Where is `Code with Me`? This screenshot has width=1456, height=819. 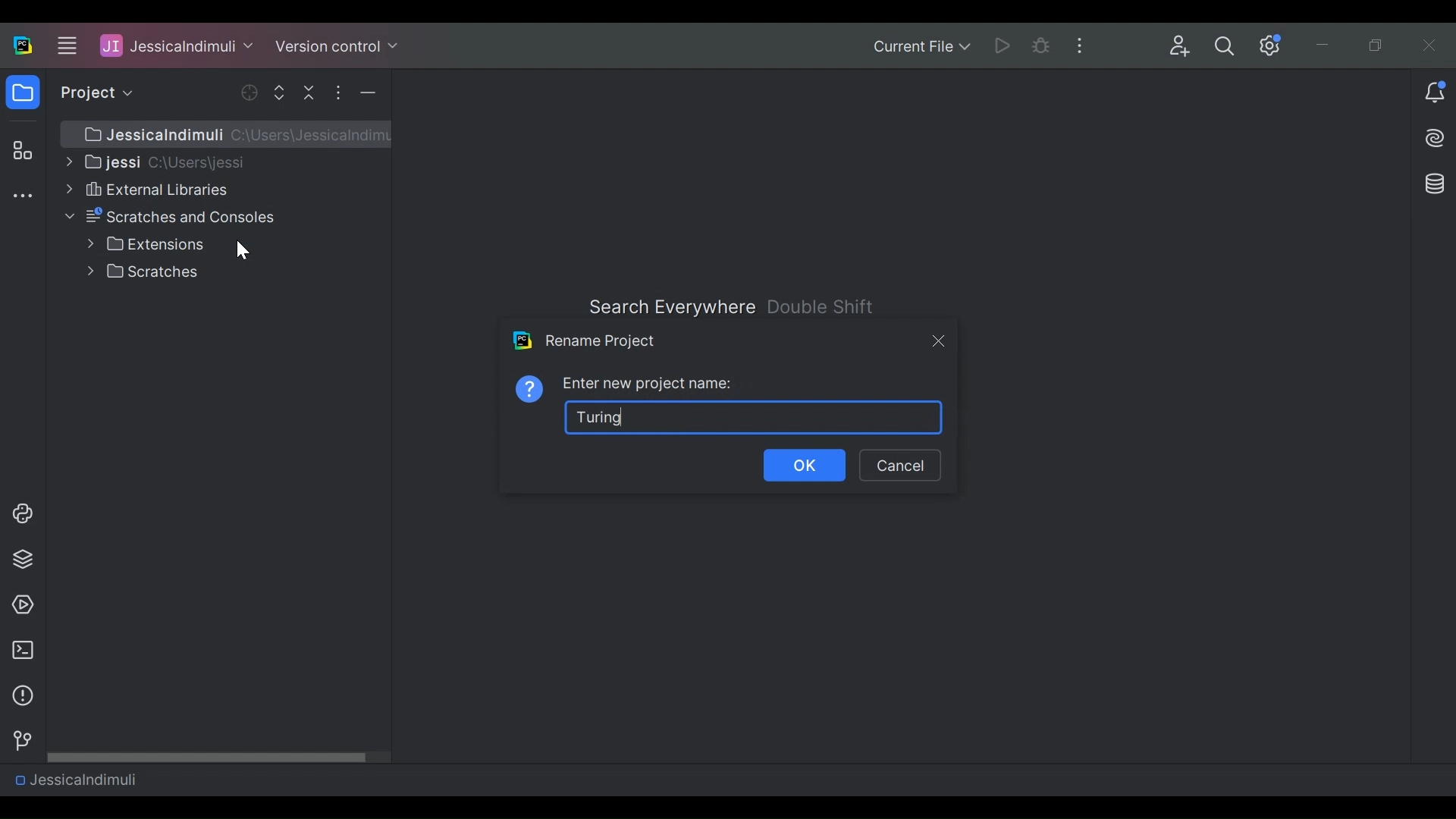
Code with Me is located at coordinates (1180, 46).